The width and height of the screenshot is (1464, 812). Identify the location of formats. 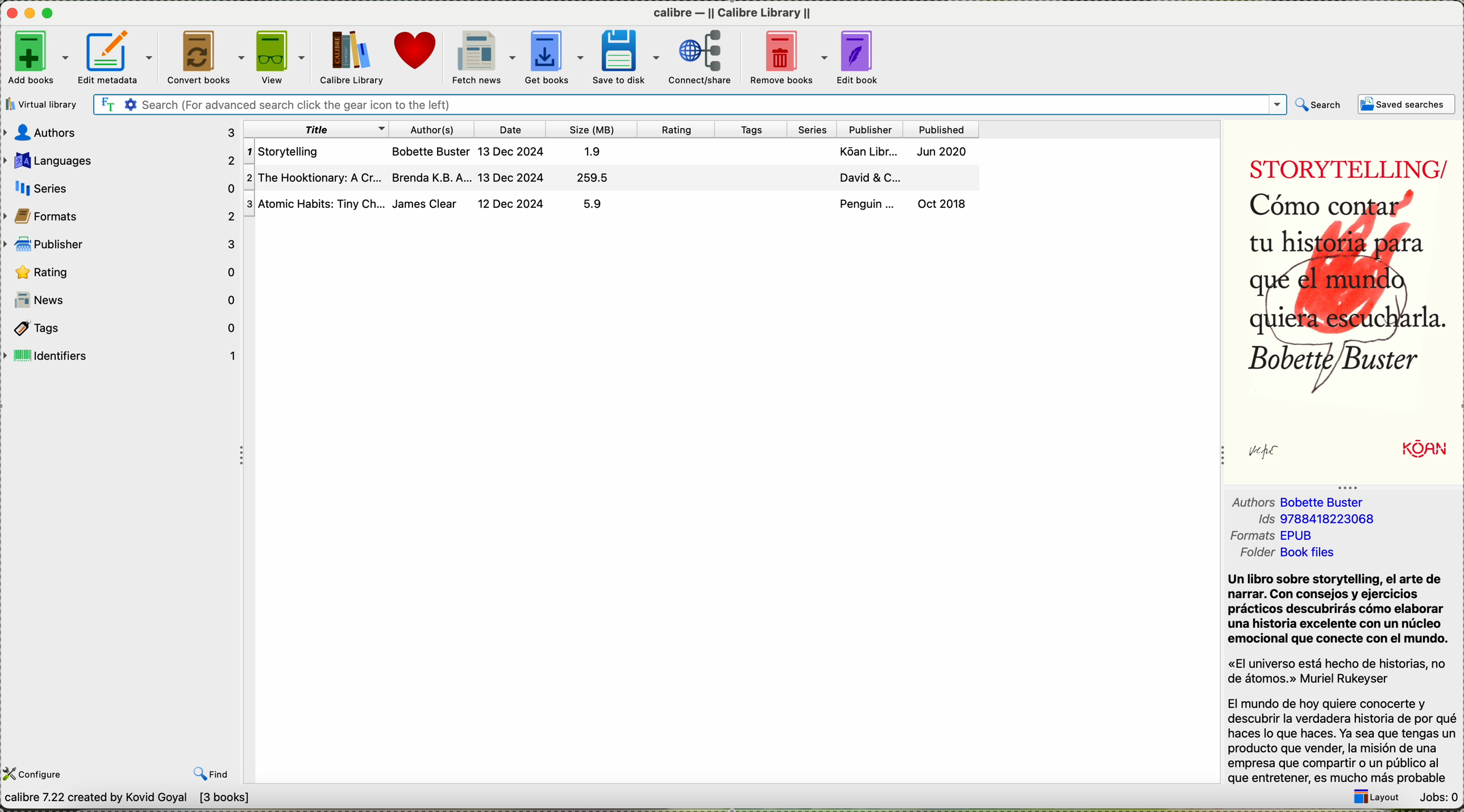
(122, 216).